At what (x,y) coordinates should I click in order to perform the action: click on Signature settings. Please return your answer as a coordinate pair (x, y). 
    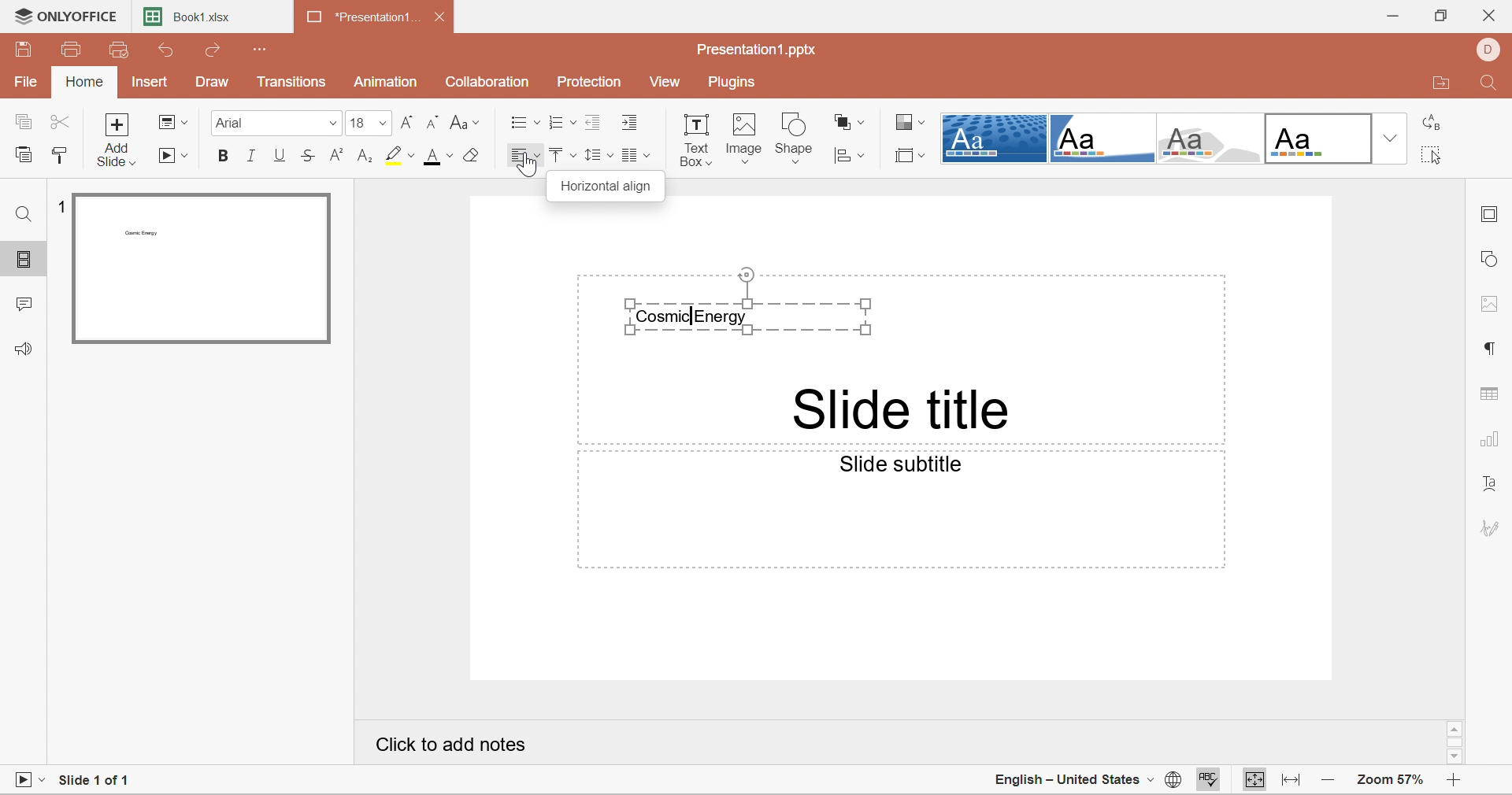
    Looking at the image, I should click on (1494, 527).